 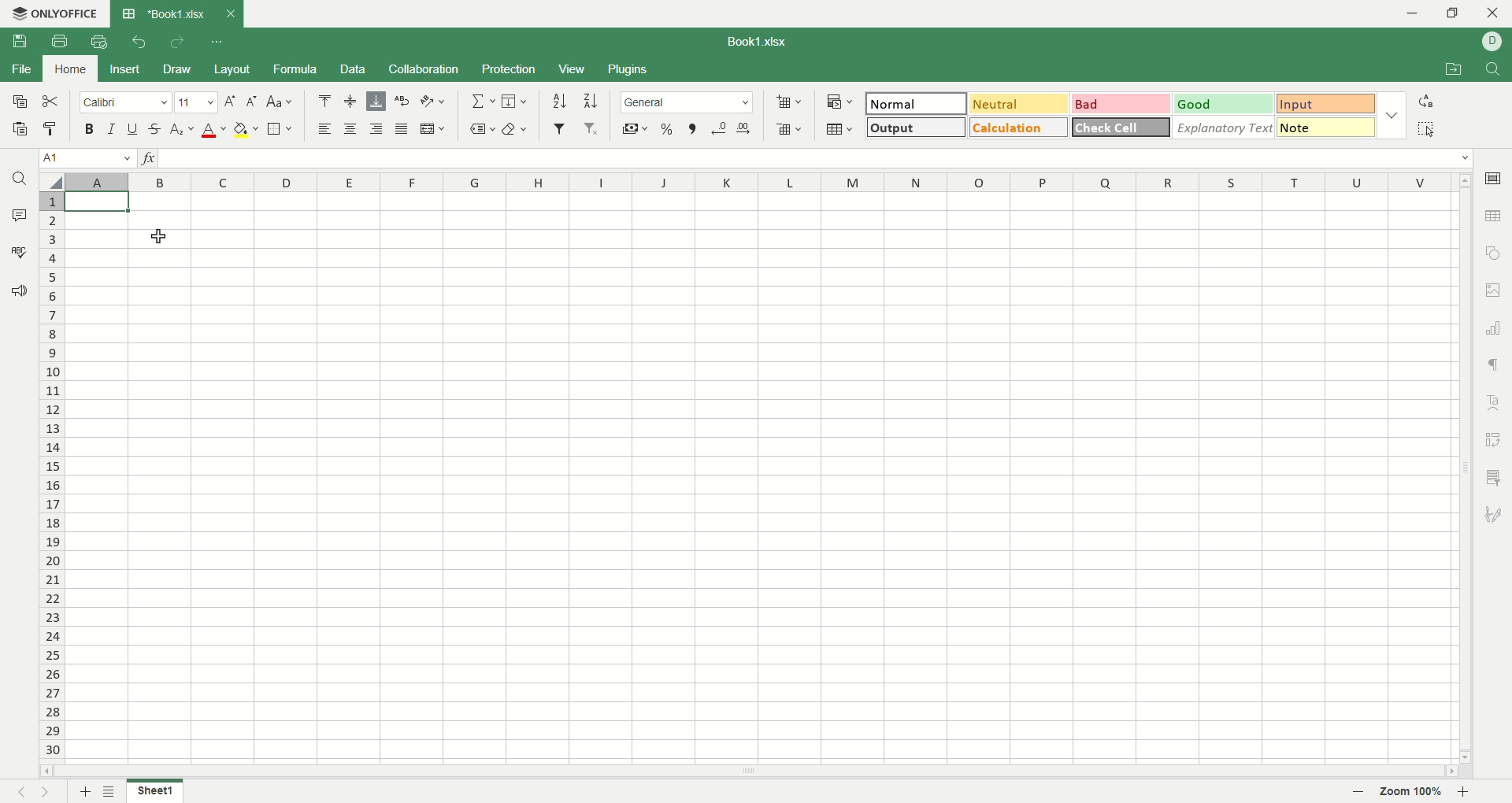 What do you see at coordinates (149, 158) in the screenshot?
I see `insert function` at bounding box center [149, 158].